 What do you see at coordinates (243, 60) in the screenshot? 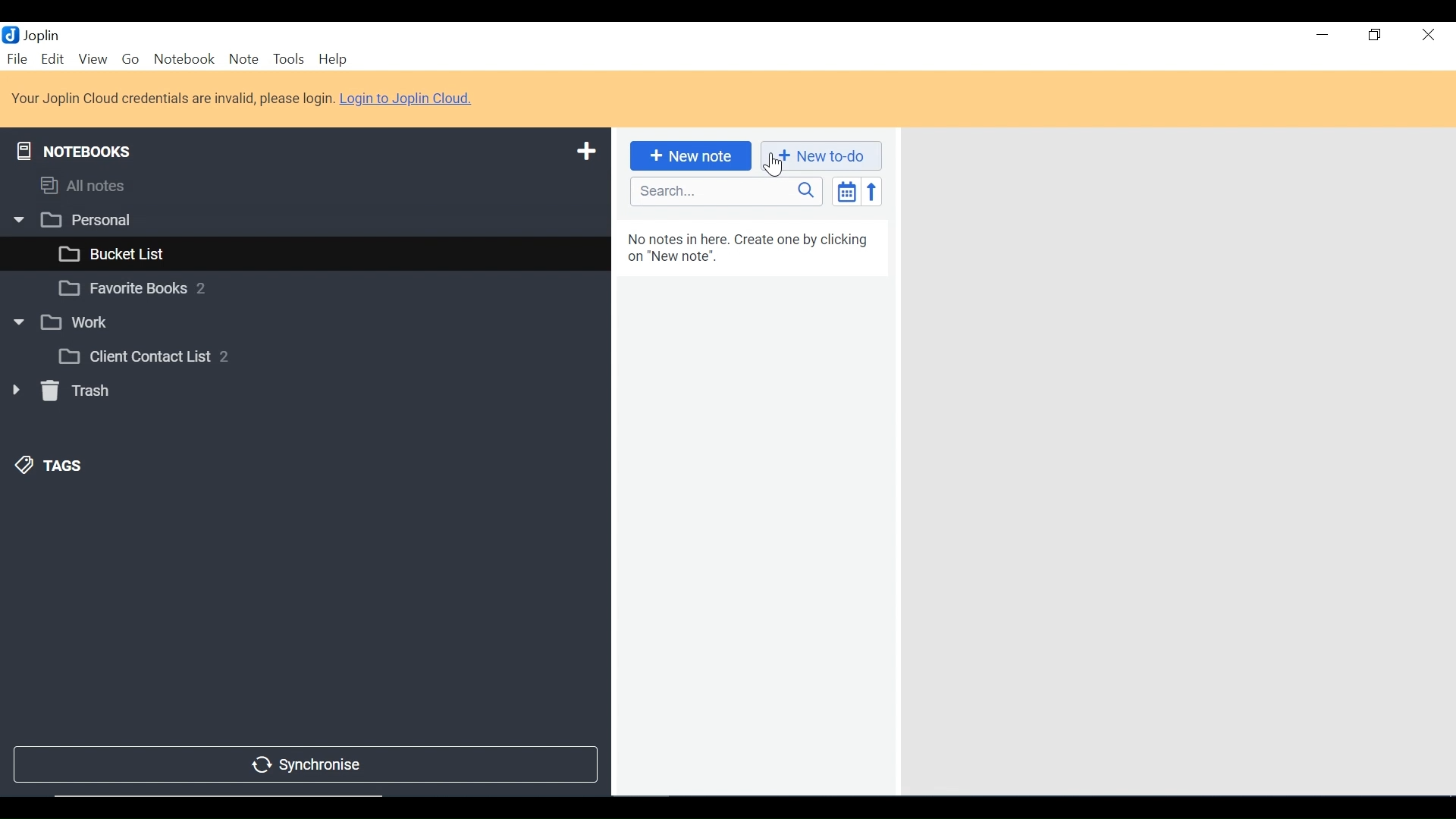
I see `Note` at bounding box center [243, 60].